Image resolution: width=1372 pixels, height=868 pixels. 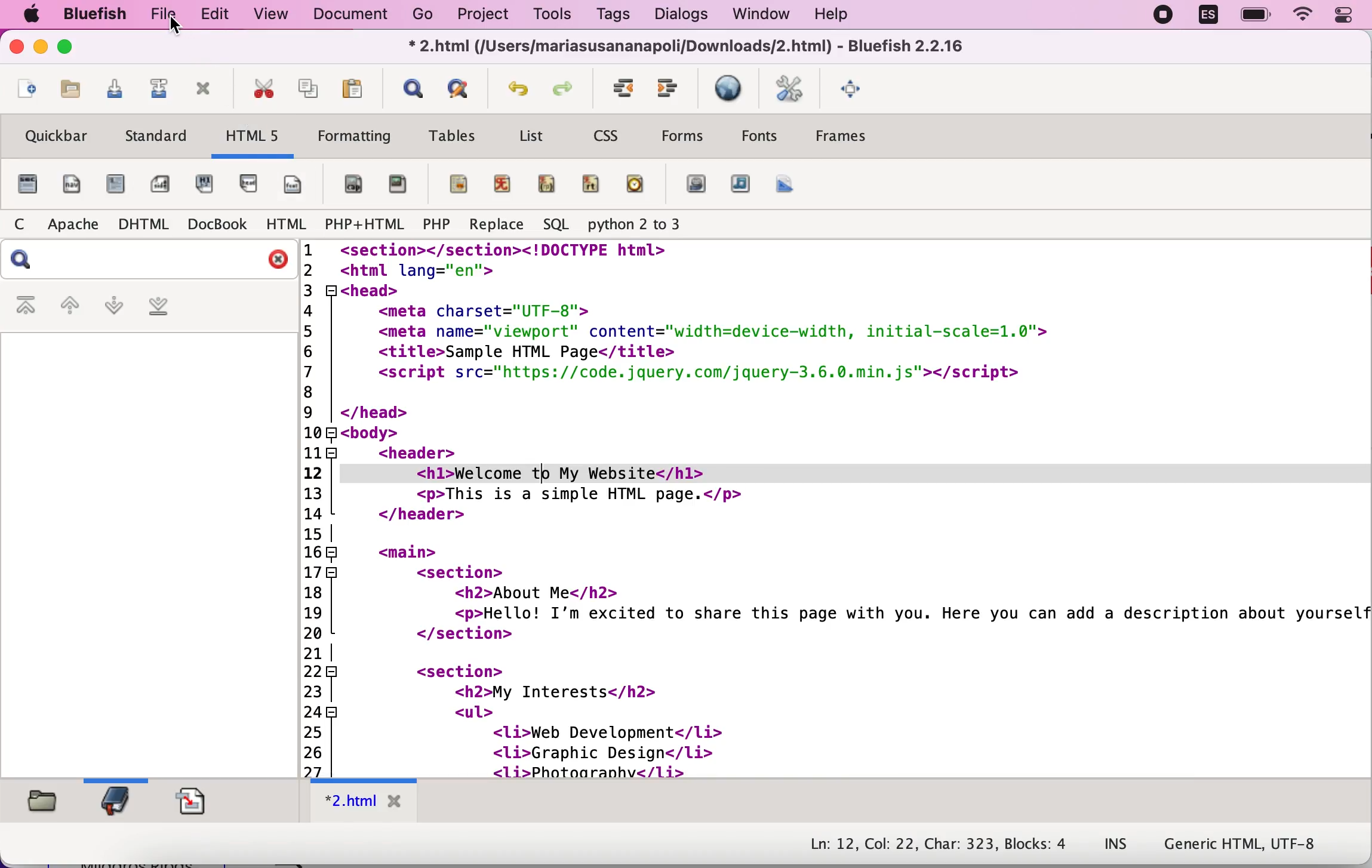 What do you see at coordinates (437, 224) in the screenshot?
I see `php` at bounding box center [437, 224].